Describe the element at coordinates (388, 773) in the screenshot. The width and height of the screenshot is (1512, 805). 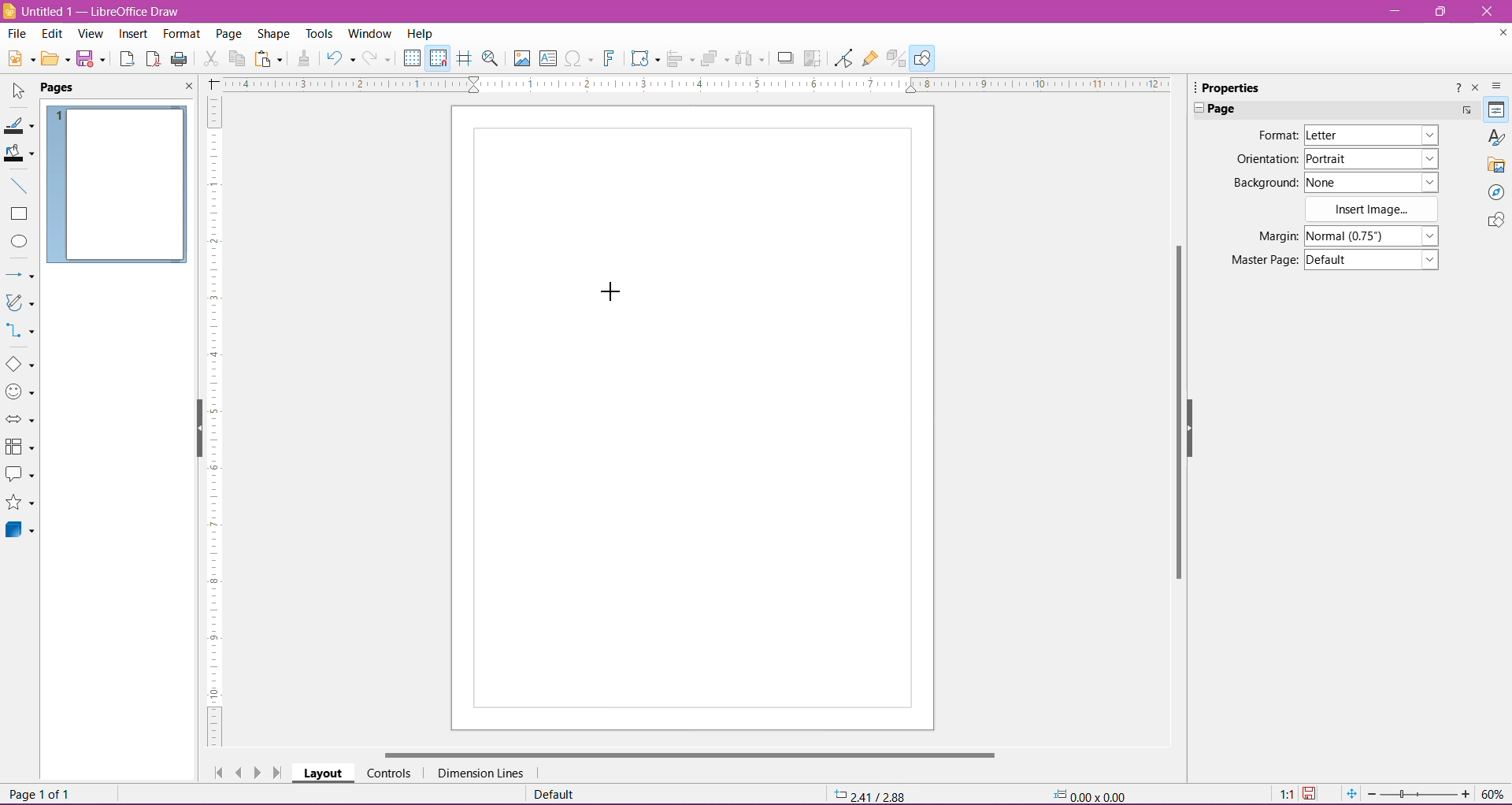
I see `Controls` at that location.